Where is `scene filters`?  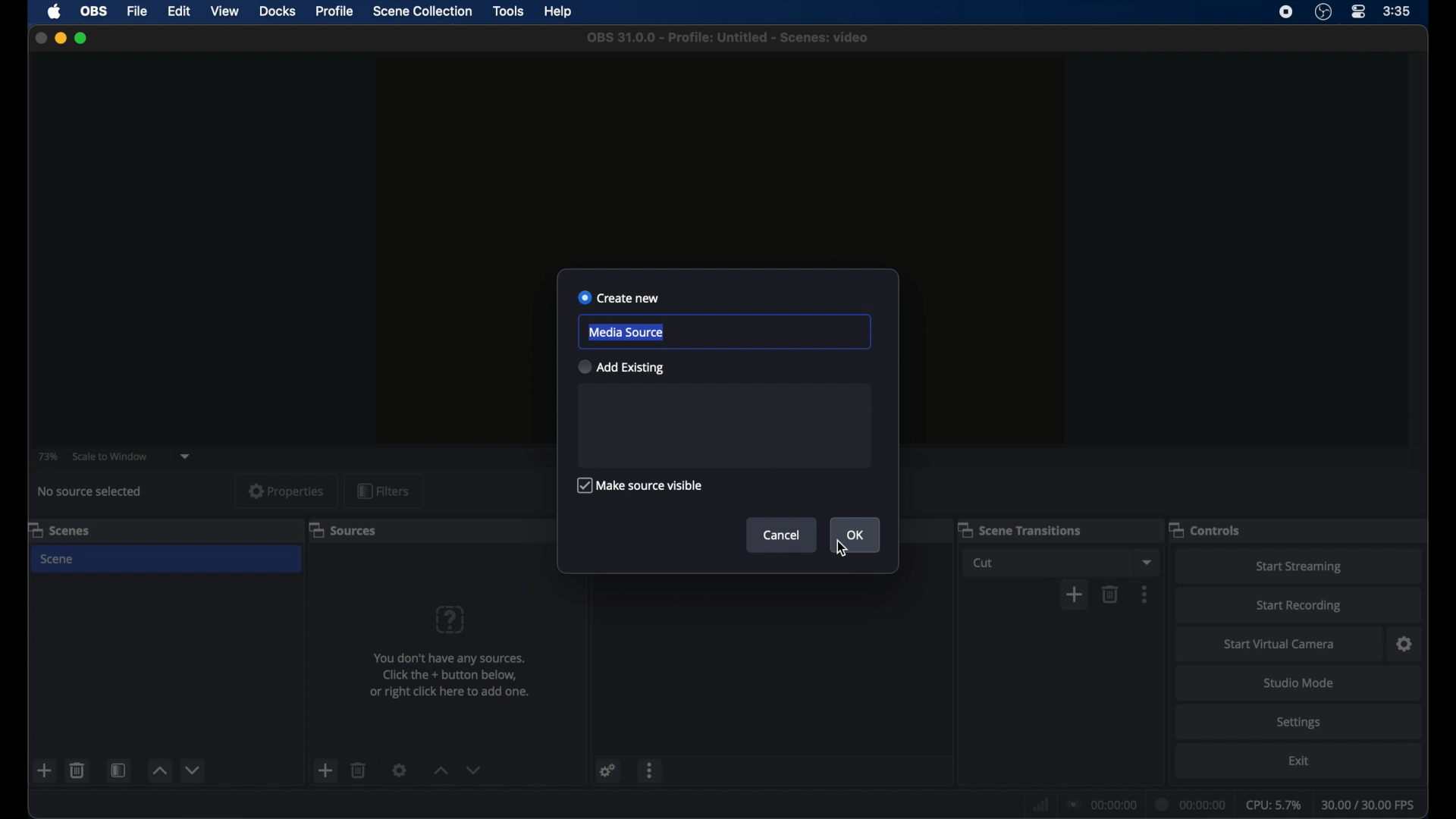 scene filters is located at coordinates (118, 770).